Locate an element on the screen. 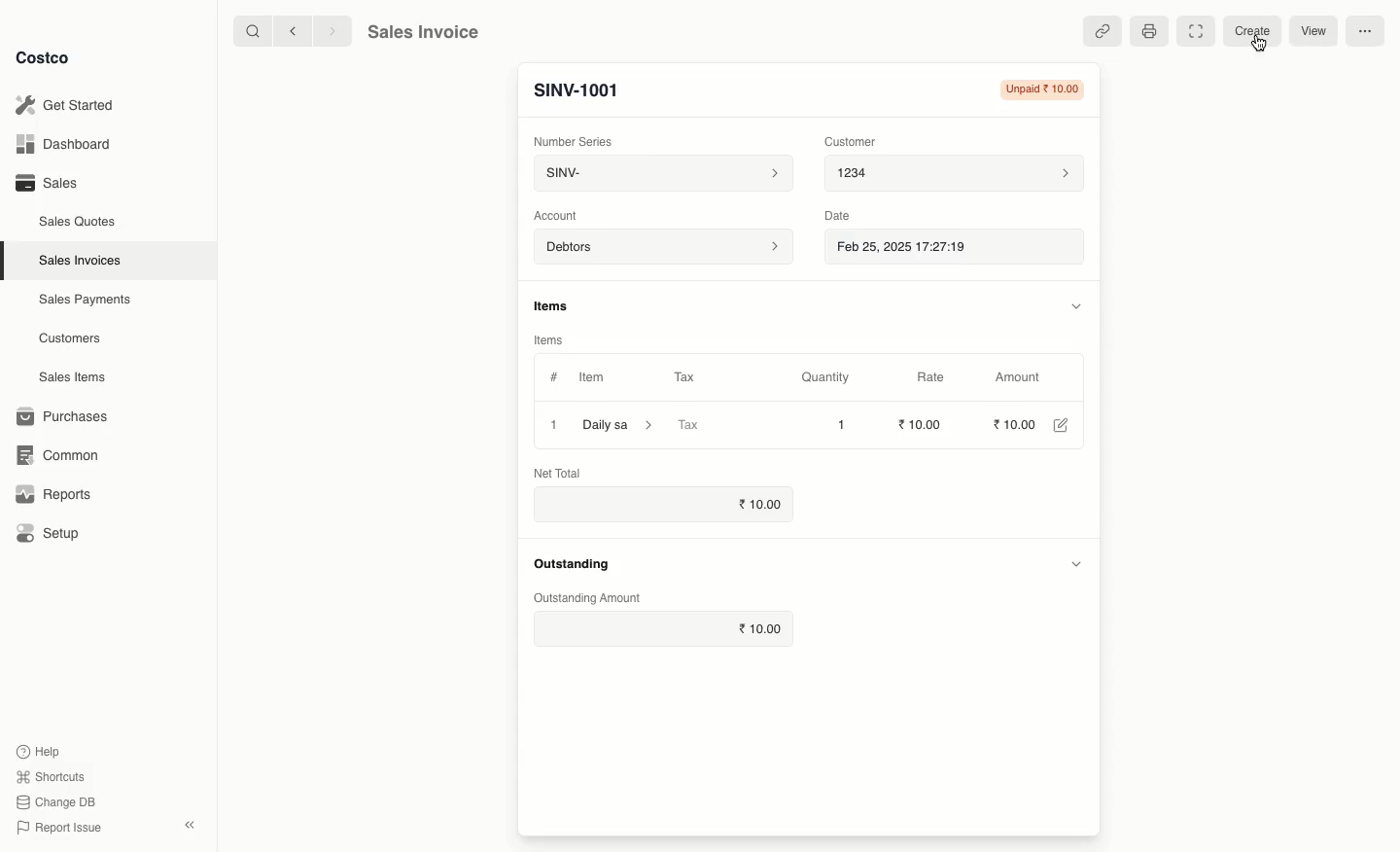 The width and height of the screenshot is (1400, 852). Reports is located at coordinates (53, 496).